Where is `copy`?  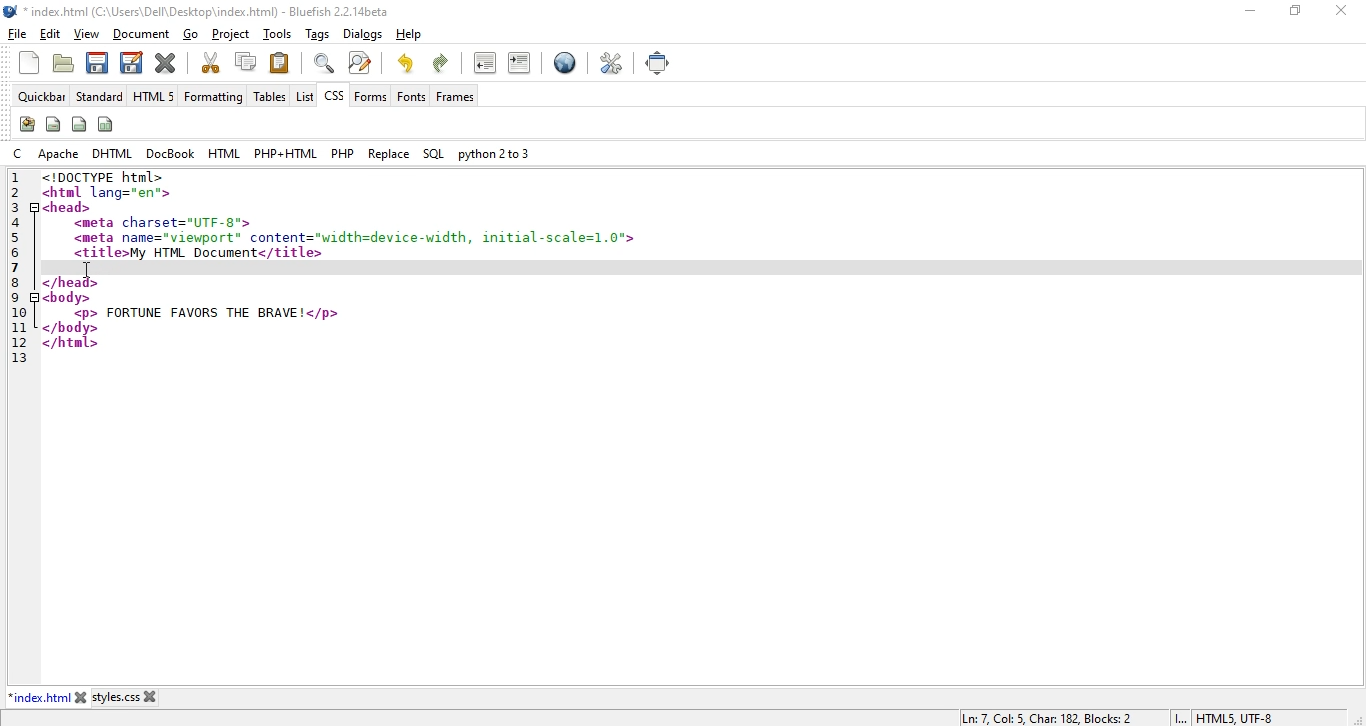
copy is located at coordinates (246, 61).